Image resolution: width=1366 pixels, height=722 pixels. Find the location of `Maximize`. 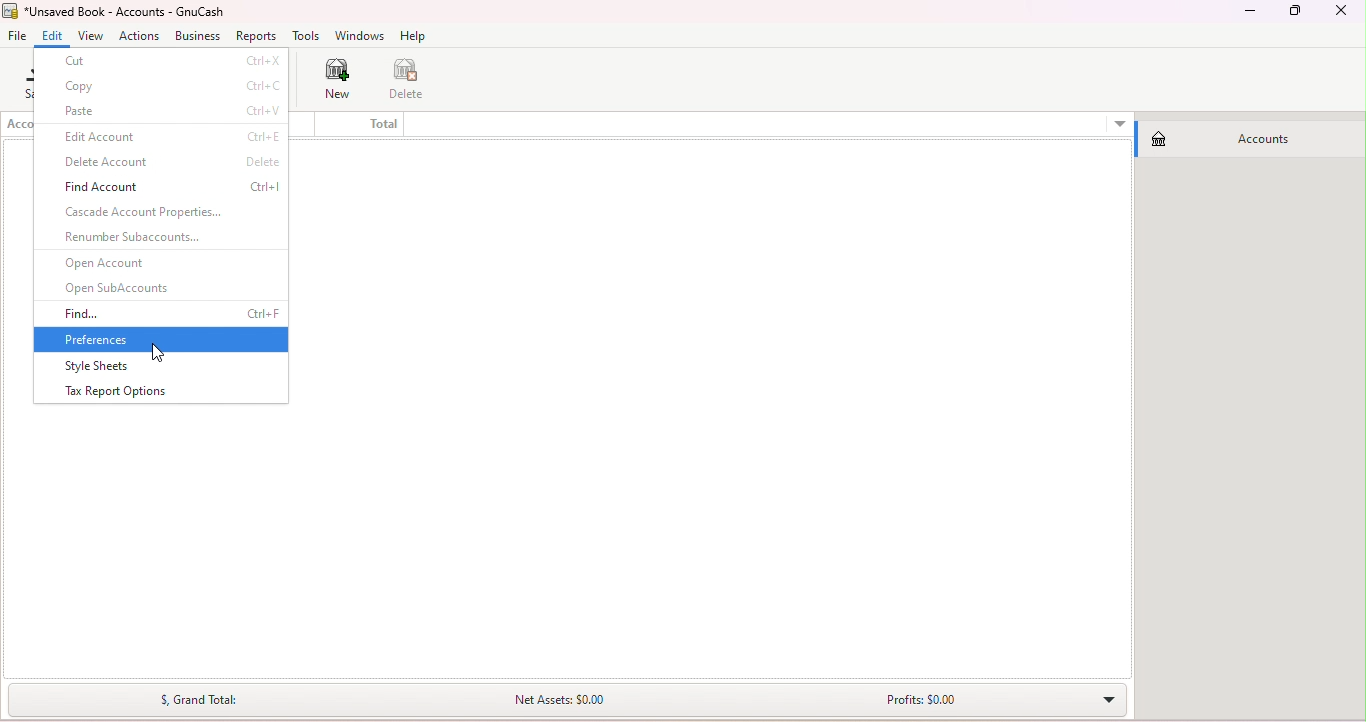

Maximize is located at coordinates (1302, 14).